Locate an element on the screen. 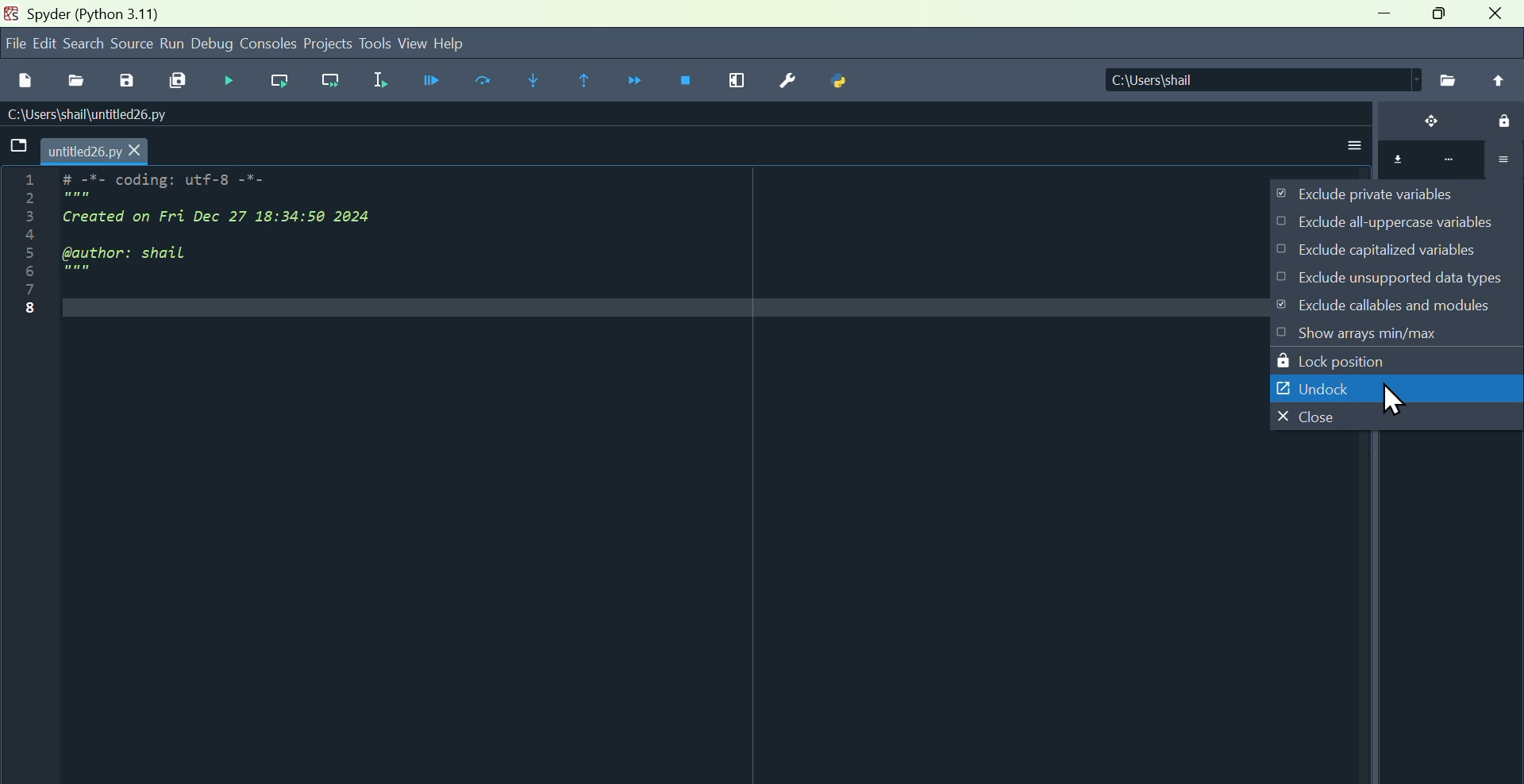  maximise current window is located at coordinates (736, 83).